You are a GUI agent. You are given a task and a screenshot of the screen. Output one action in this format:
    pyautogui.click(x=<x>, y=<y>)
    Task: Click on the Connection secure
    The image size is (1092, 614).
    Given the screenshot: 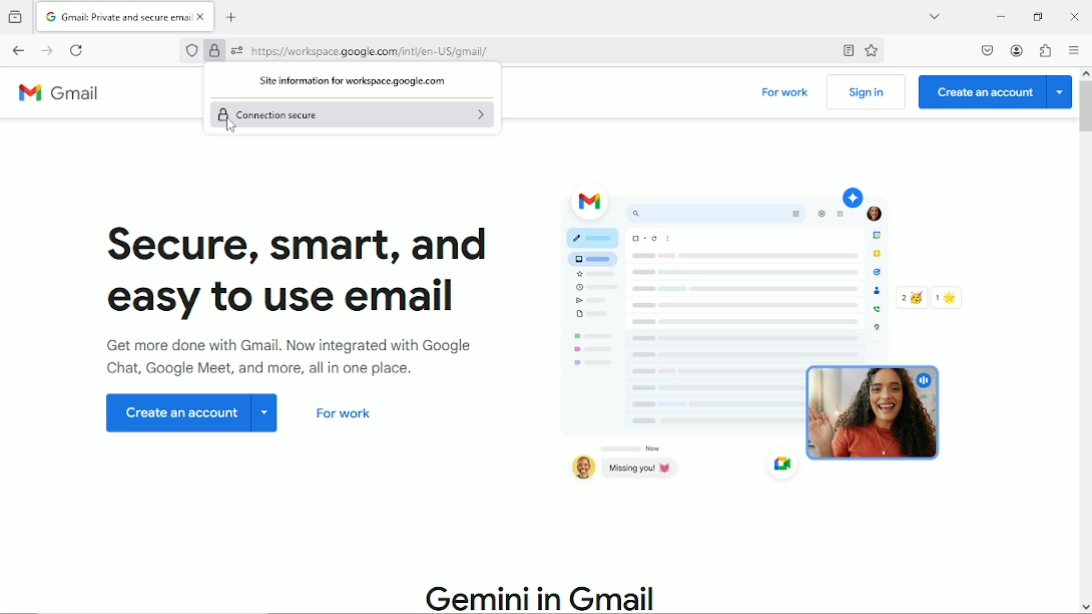 What is the action you would take?
    pyautogui.click(x=354, y=114)
    